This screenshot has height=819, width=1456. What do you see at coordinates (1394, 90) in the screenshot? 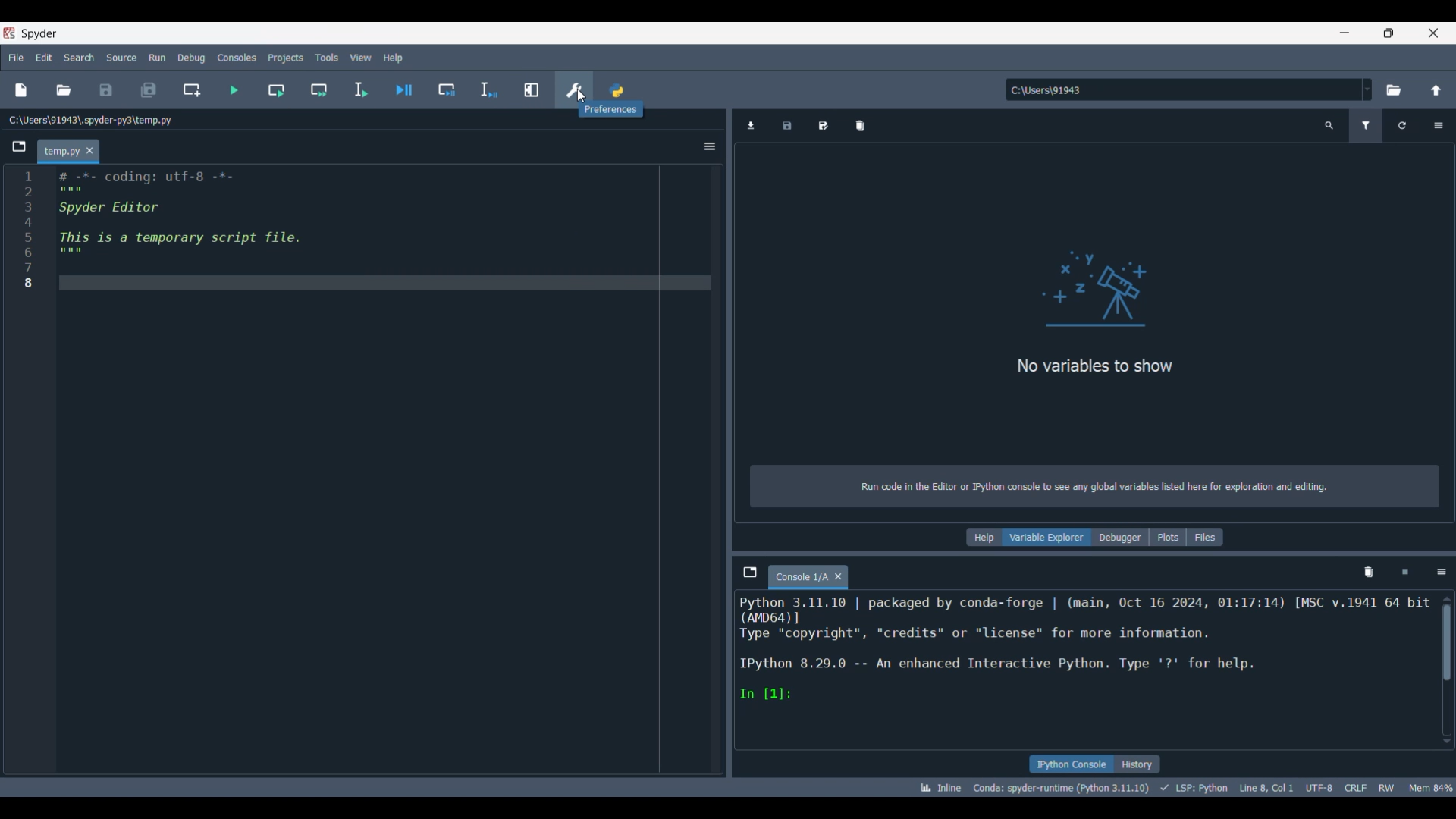
I see `Browse a default directory` at bounding box center [1394, 90].